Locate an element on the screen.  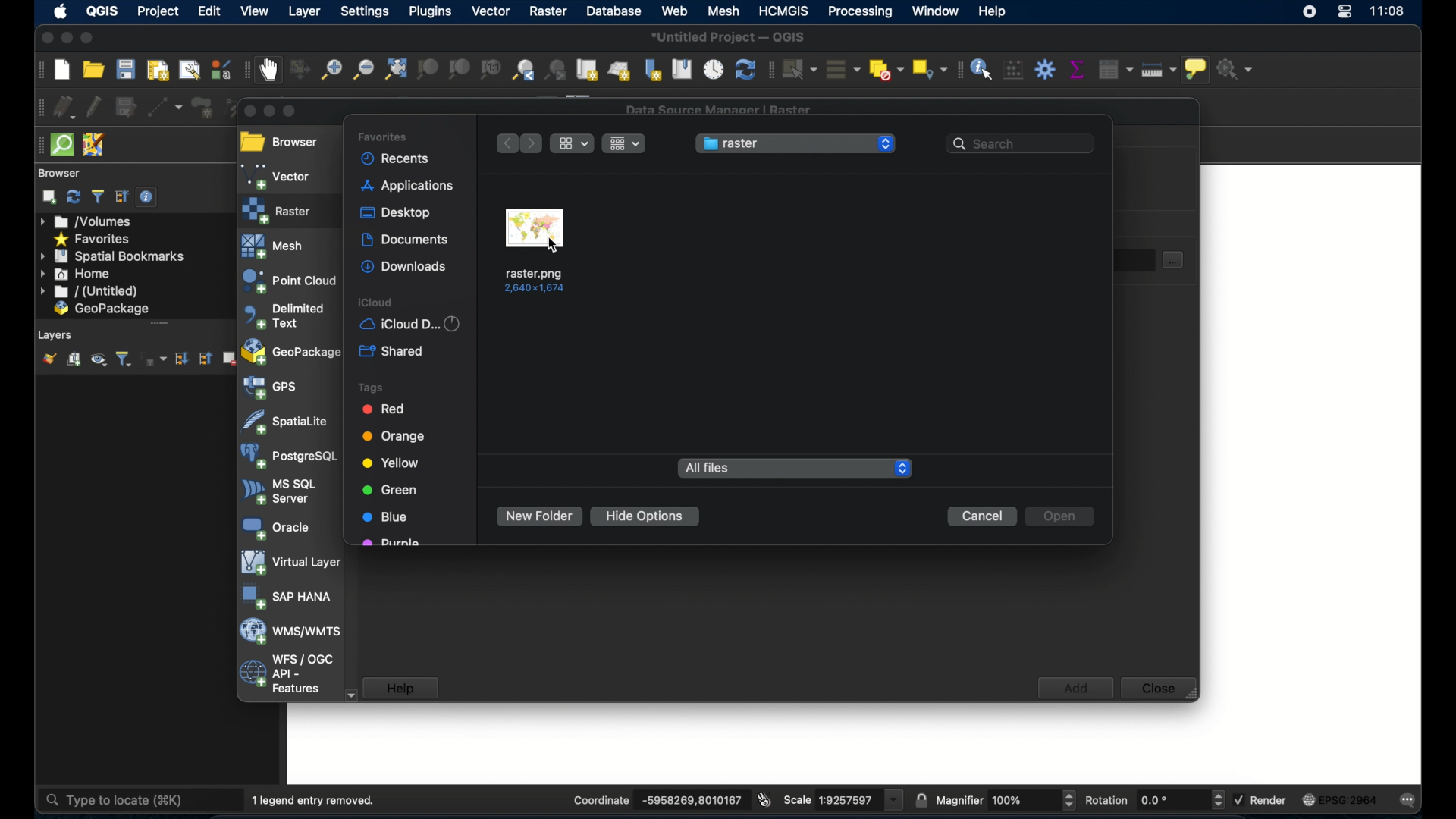
untitled is located at coordinates (87, 292).